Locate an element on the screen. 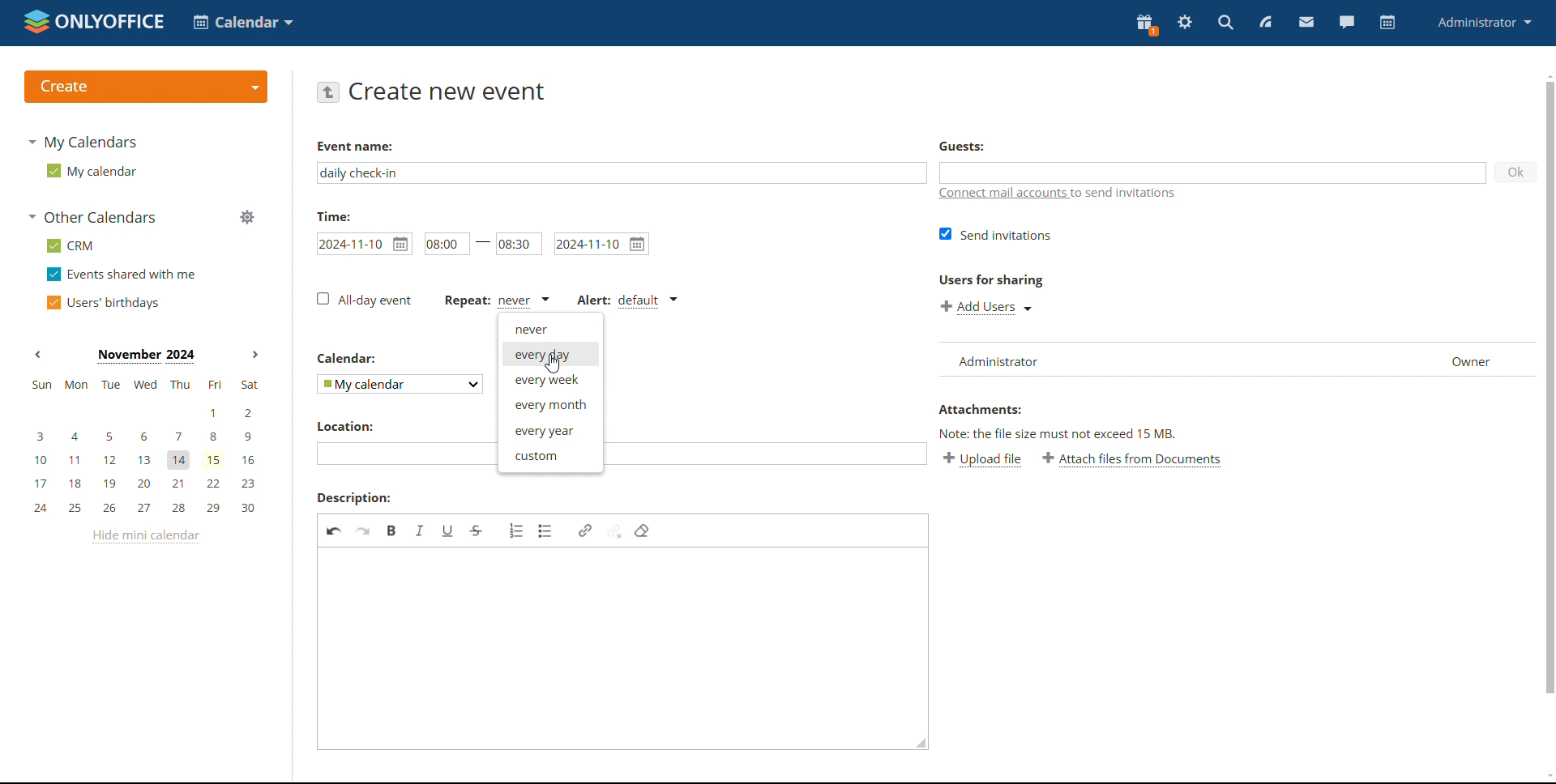 The height and width of the screenshot is (784, 1556). go back is located at coordinates (328, 92).